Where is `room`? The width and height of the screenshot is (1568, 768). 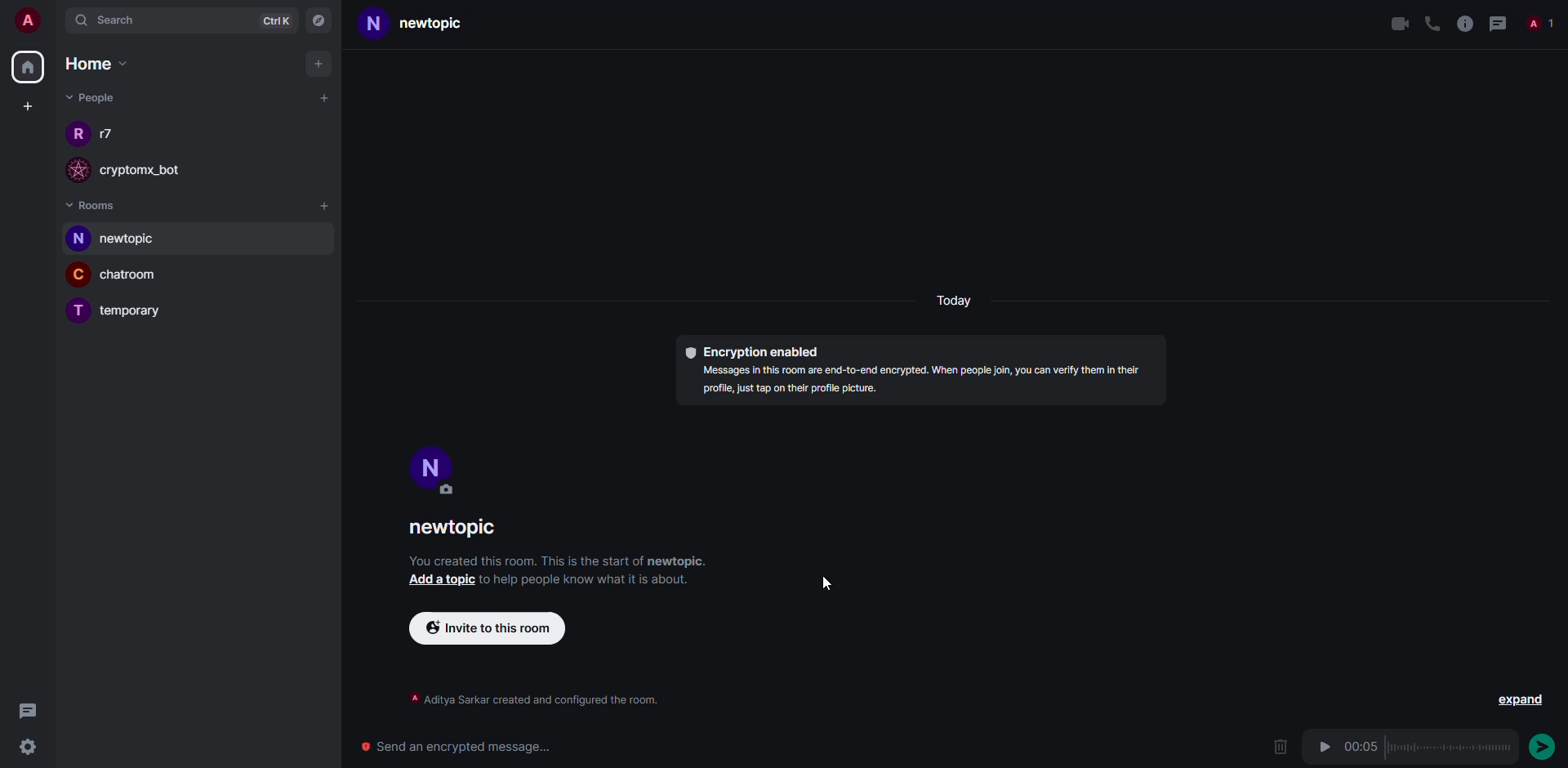 room is located at coordinates (140, 278).